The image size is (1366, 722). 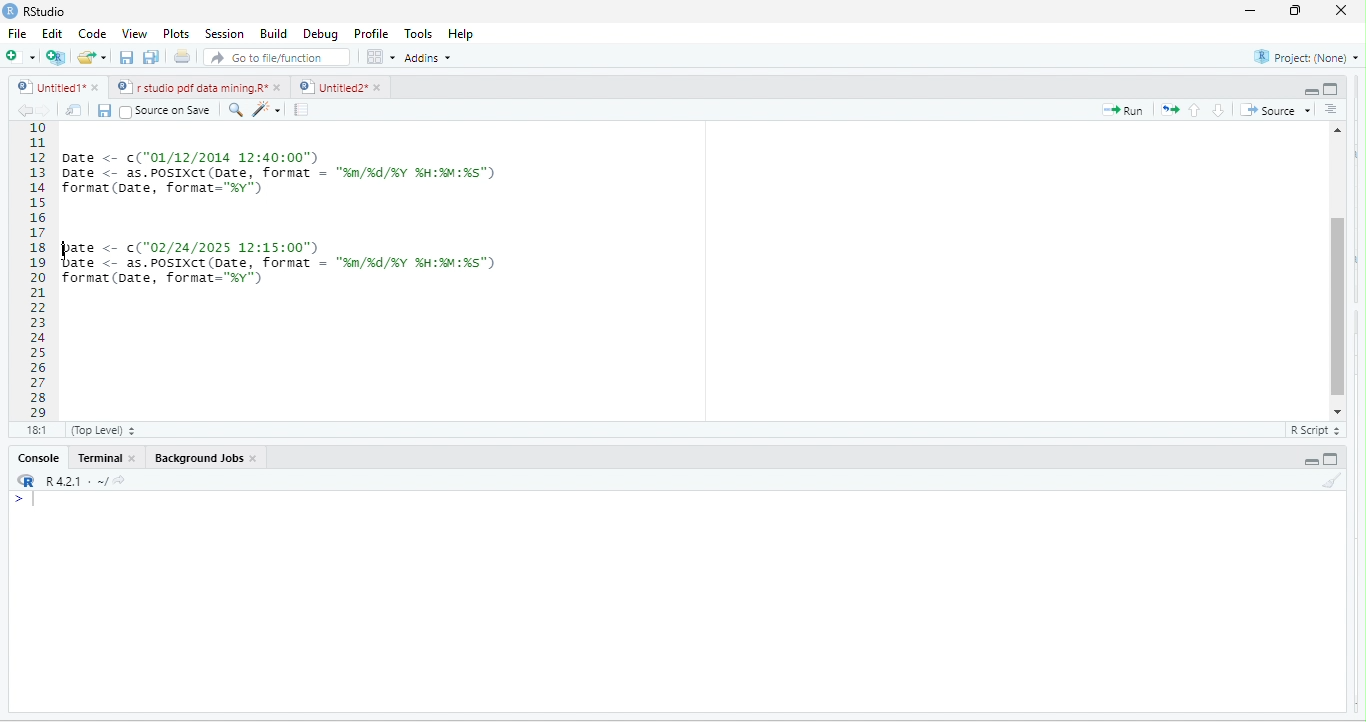 What do you see at coordinates (47, 111) in the screenshot?
I see `go forward to the next source location` at bounding box center [47, 111].